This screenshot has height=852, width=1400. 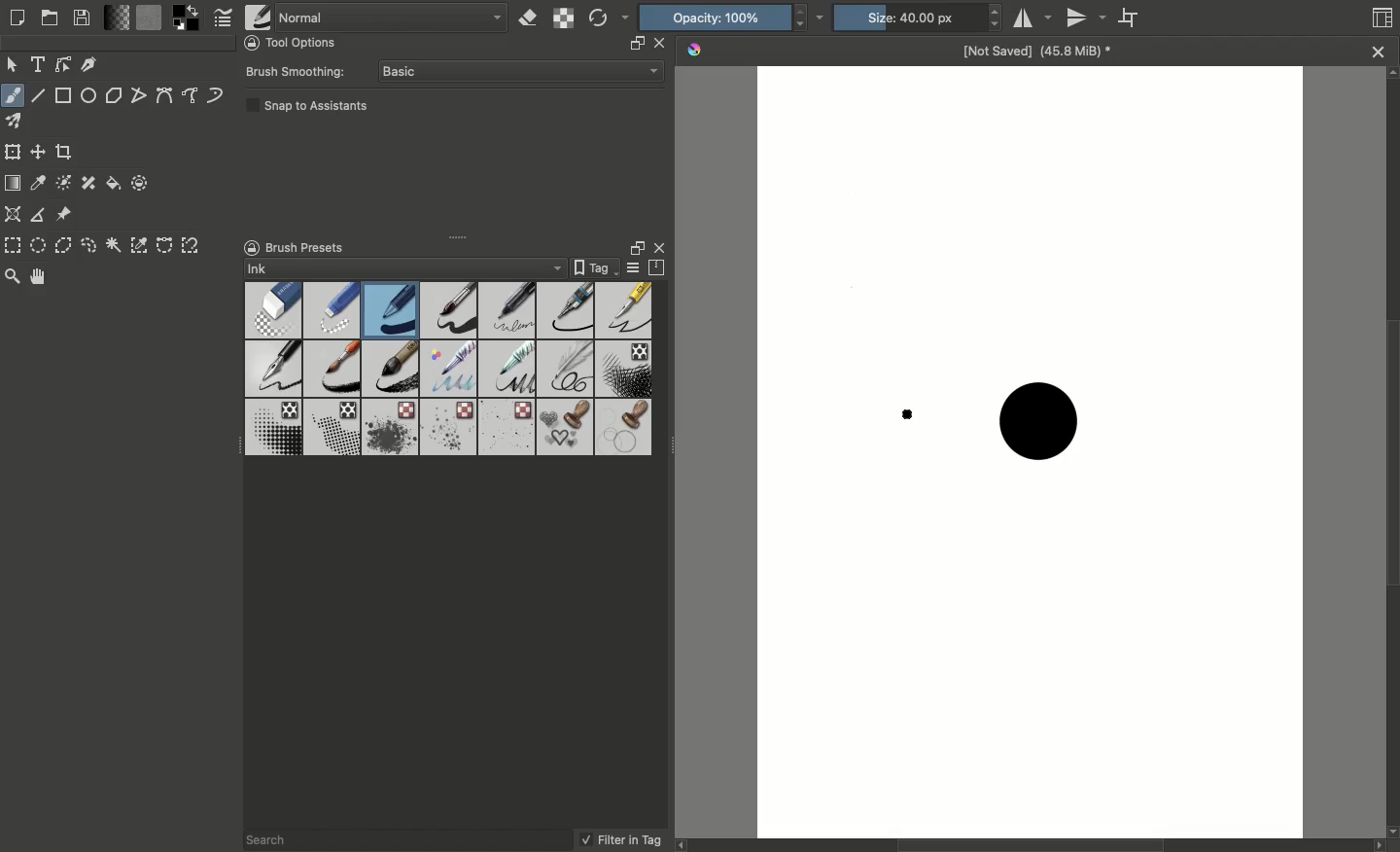 What do you see at coordinates (449, 370) in the screenshot?
I see `Brushes` at bounding box center [449, 370].